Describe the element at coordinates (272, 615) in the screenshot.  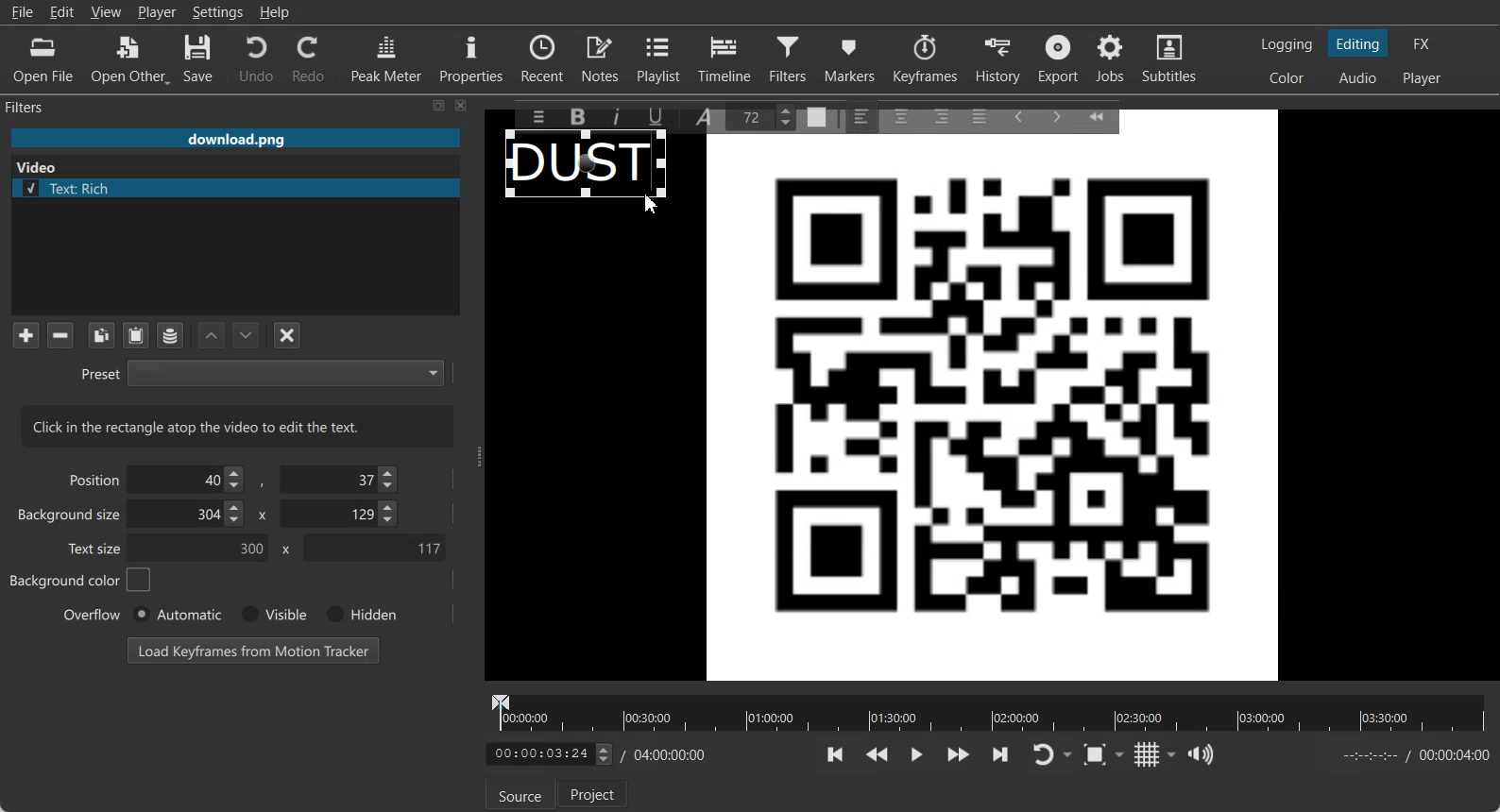
I see `Visible` at that location.